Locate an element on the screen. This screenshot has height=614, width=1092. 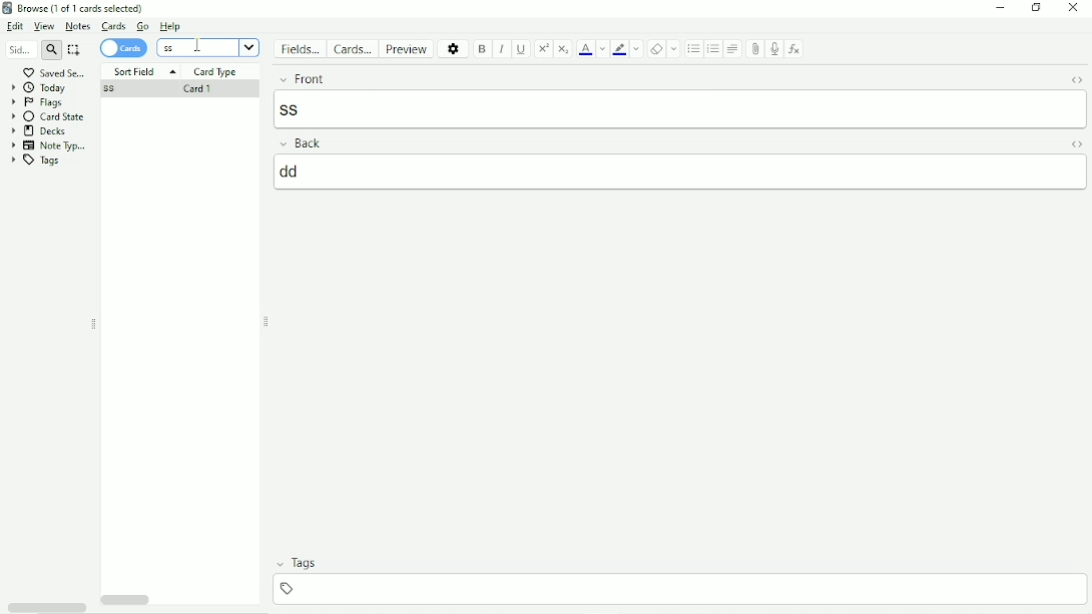
Record audio is located at coordinates (775, 49).